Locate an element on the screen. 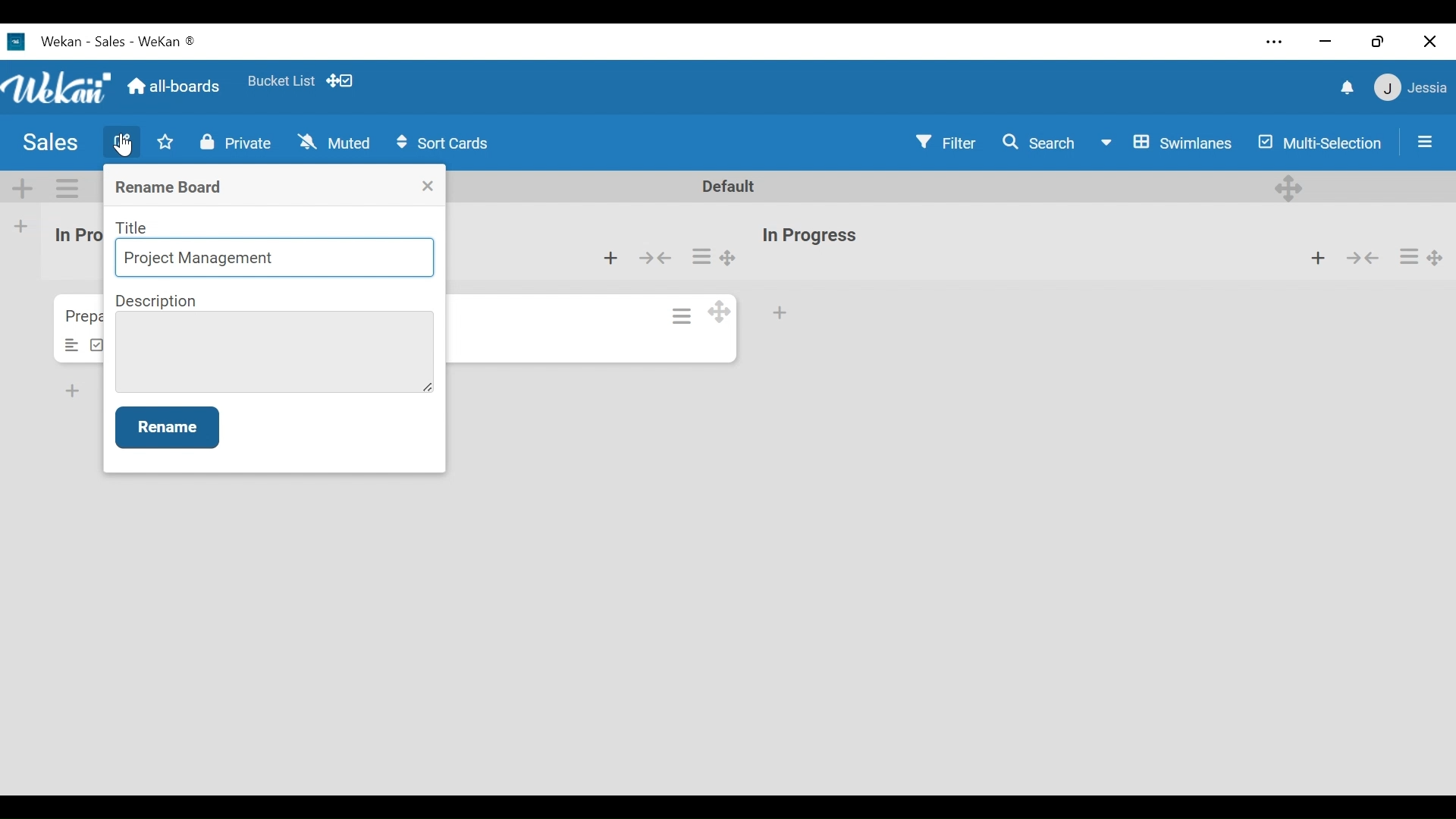 The width and height of the screenshot is (1456, 819). Favorite is located at coordinates (281, 82).